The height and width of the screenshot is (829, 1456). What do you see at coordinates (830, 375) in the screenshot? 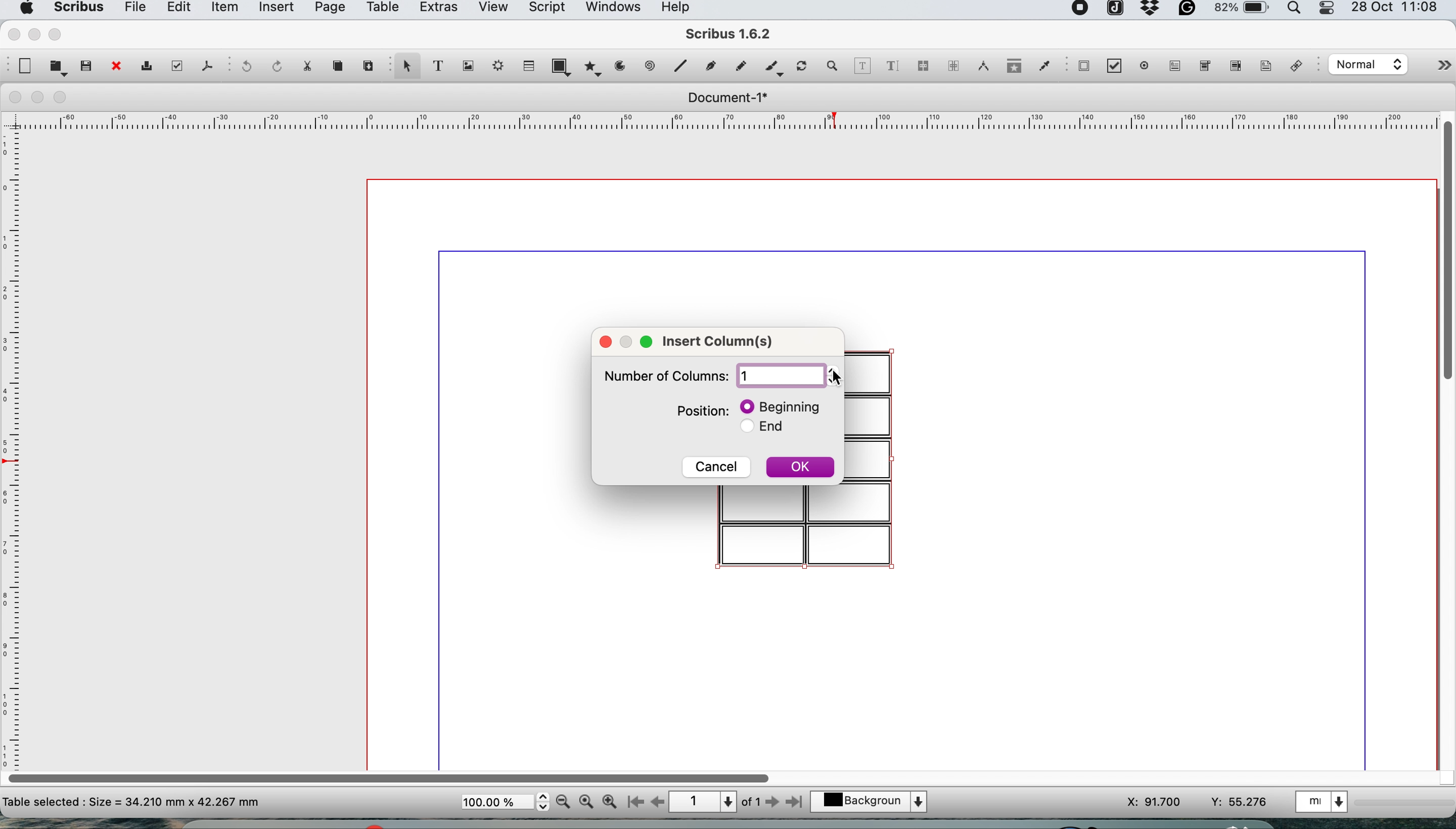
I see `increment or decrement number of columns` at bounding box center [830, 375].